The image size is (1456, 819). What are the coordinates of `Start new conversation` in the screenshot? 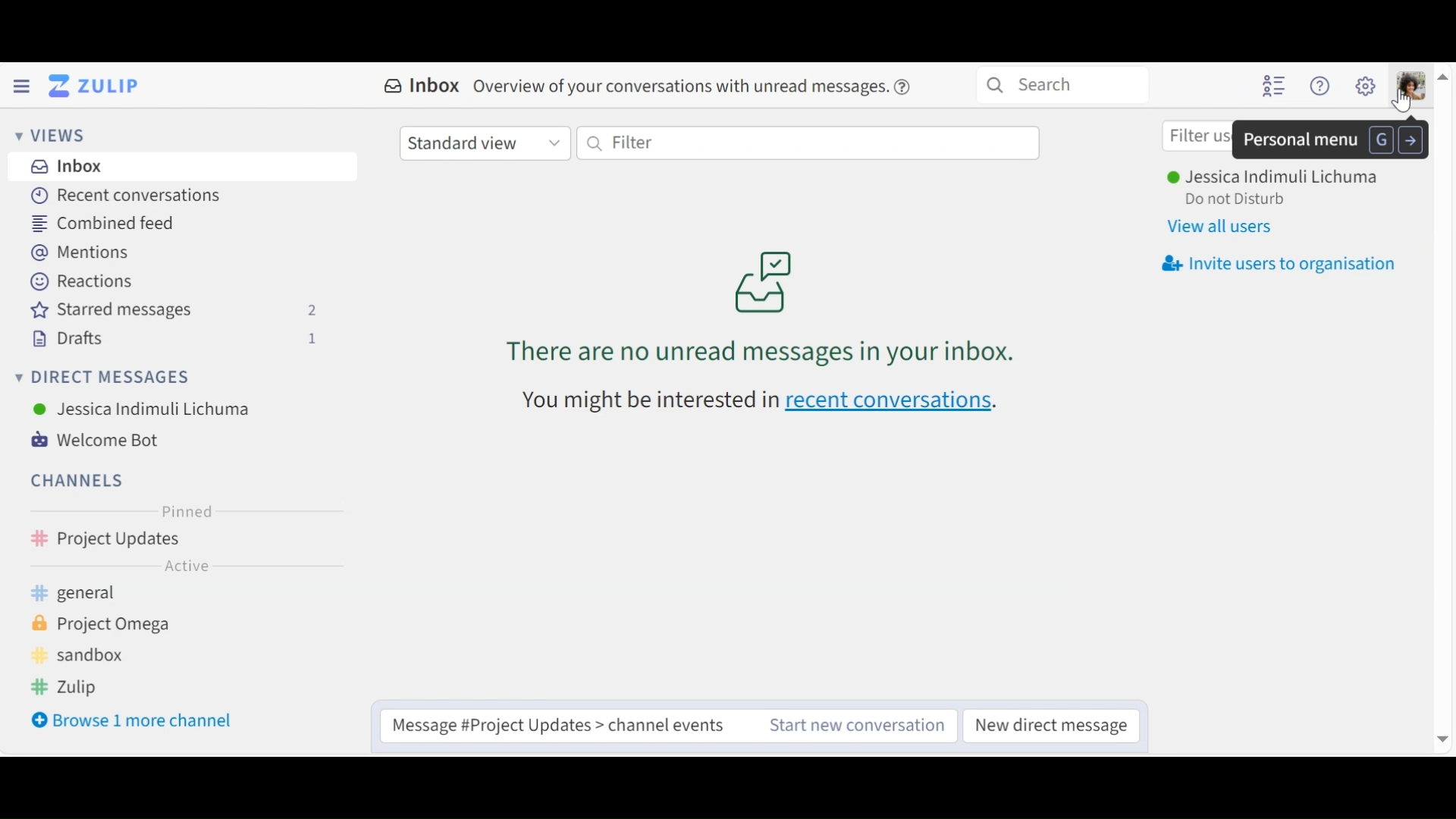 It's located at (843, 726).